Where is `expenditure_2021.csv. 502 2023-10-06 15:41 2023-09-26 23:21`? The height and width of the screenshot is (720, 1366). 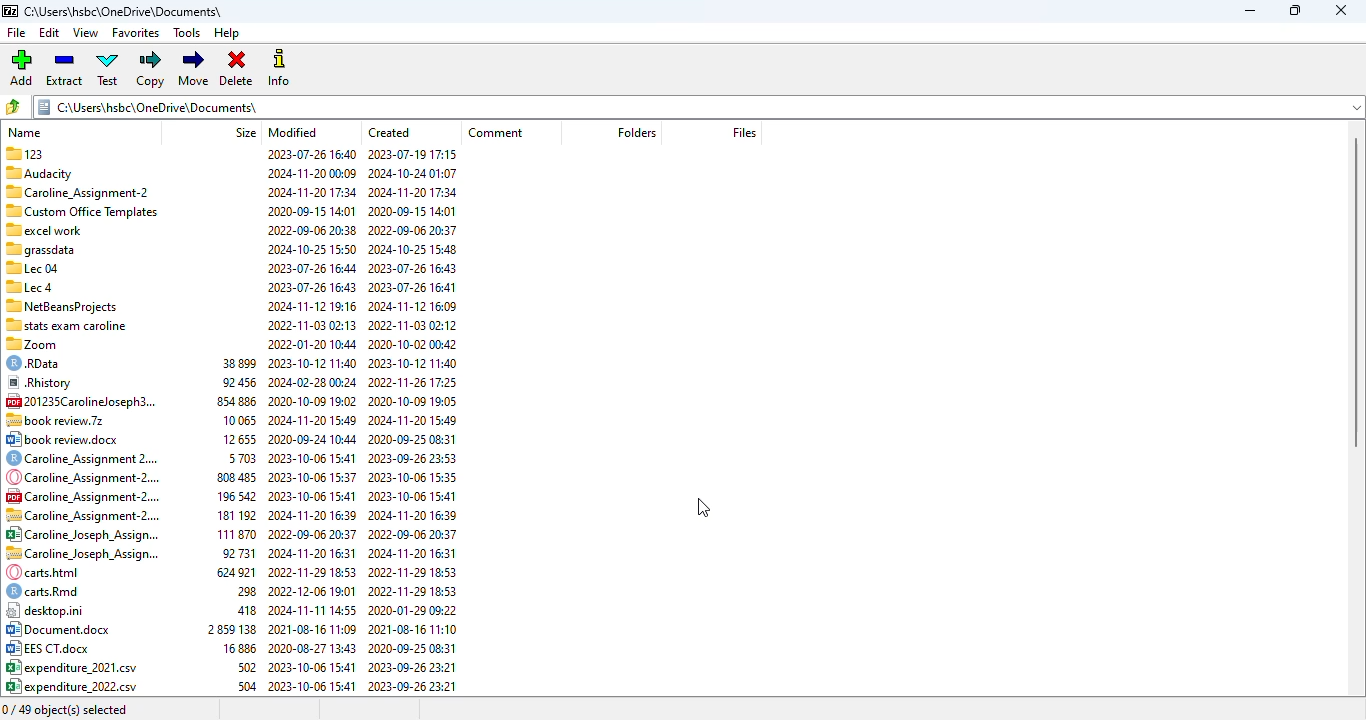
expenditure_2021.csv. 502 2023-10-06 15:41 2023-09-26 23:21 is located at coordinates (231, 649).